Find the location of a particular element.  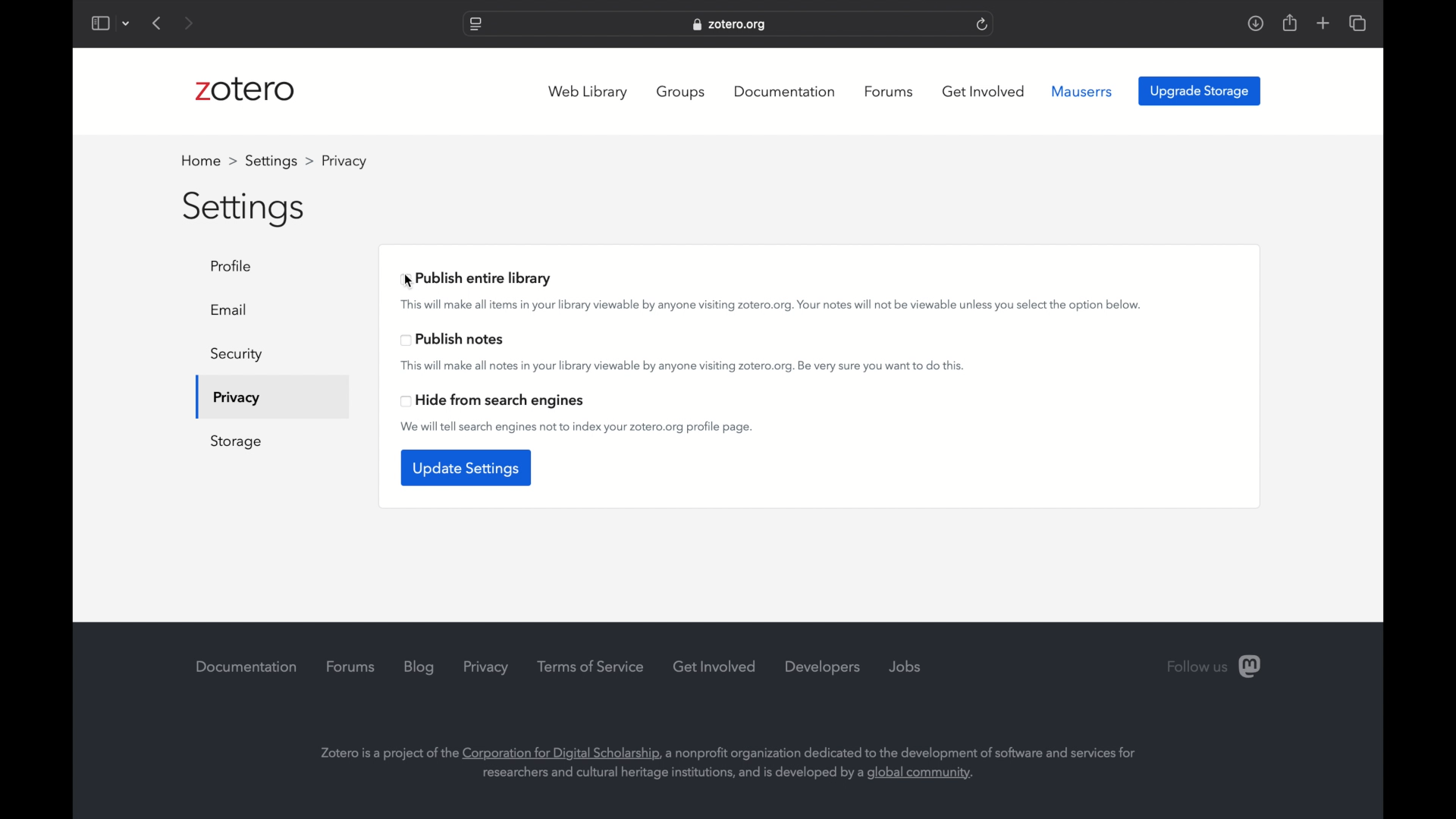

jobs is located at coordinates (905, 667).